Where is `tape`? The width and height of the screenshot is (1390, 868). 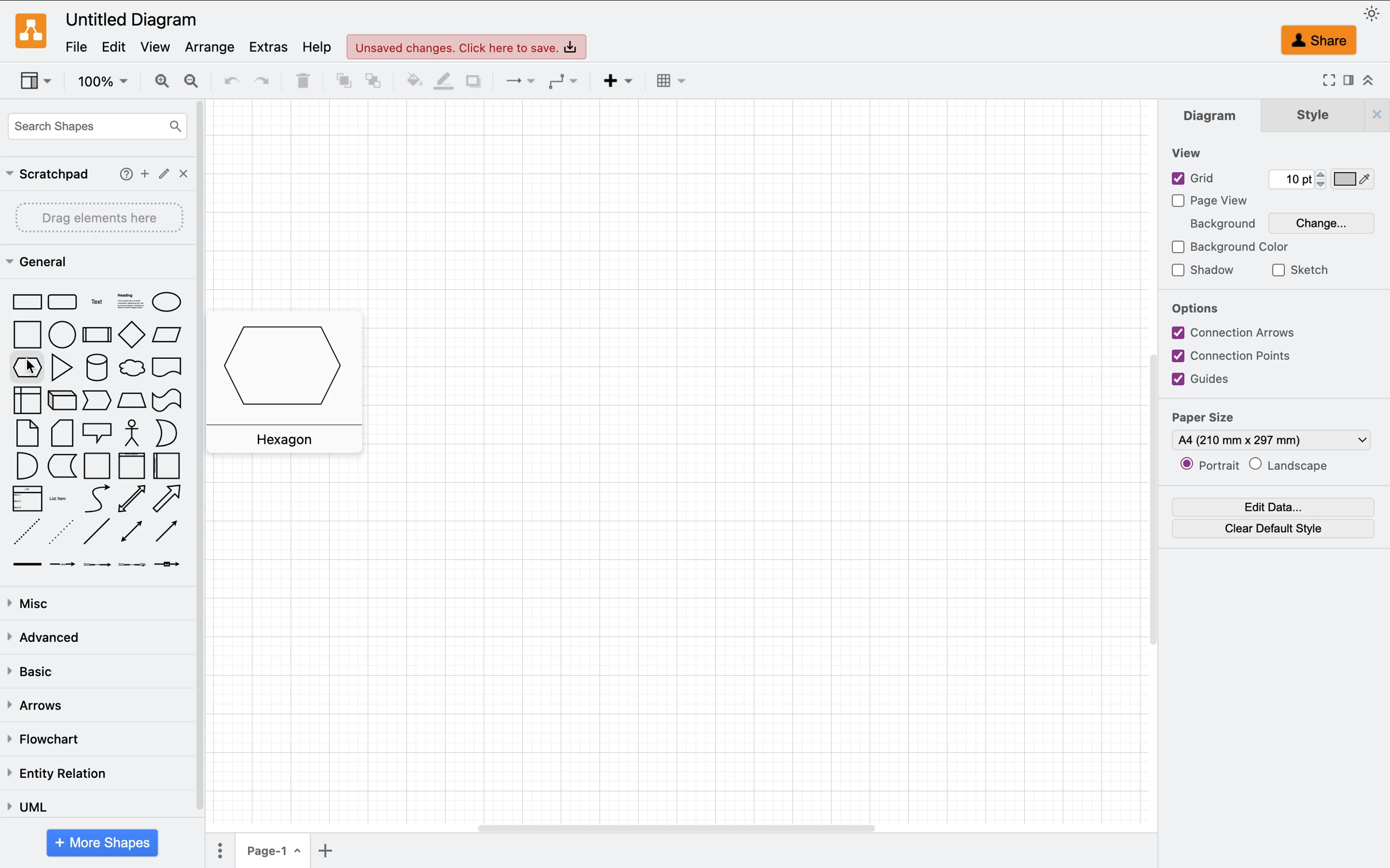
tape is located at coordinates (171, 400).